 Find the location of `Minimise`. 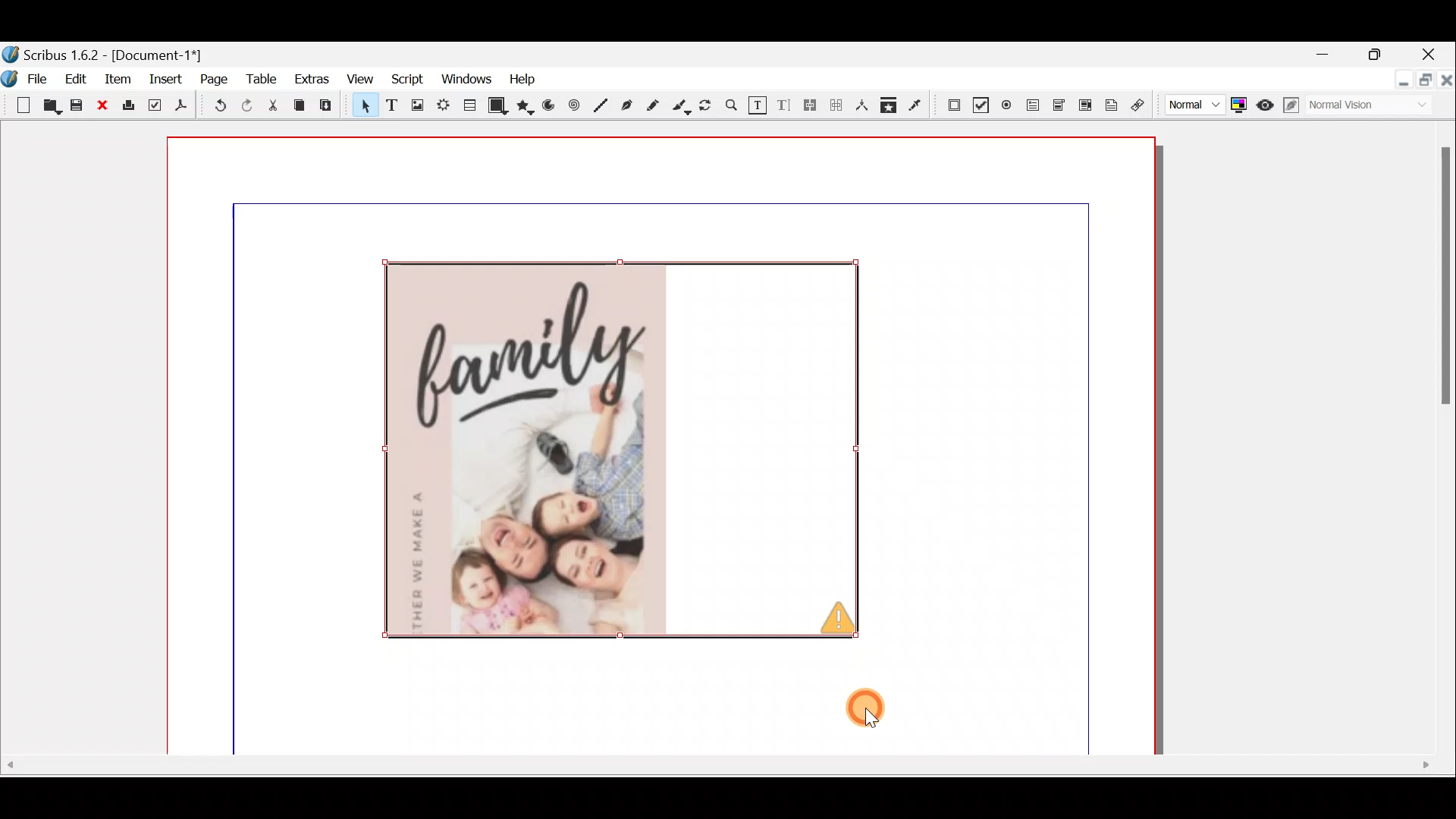

Minimise is located at coordinates (1402, 81).